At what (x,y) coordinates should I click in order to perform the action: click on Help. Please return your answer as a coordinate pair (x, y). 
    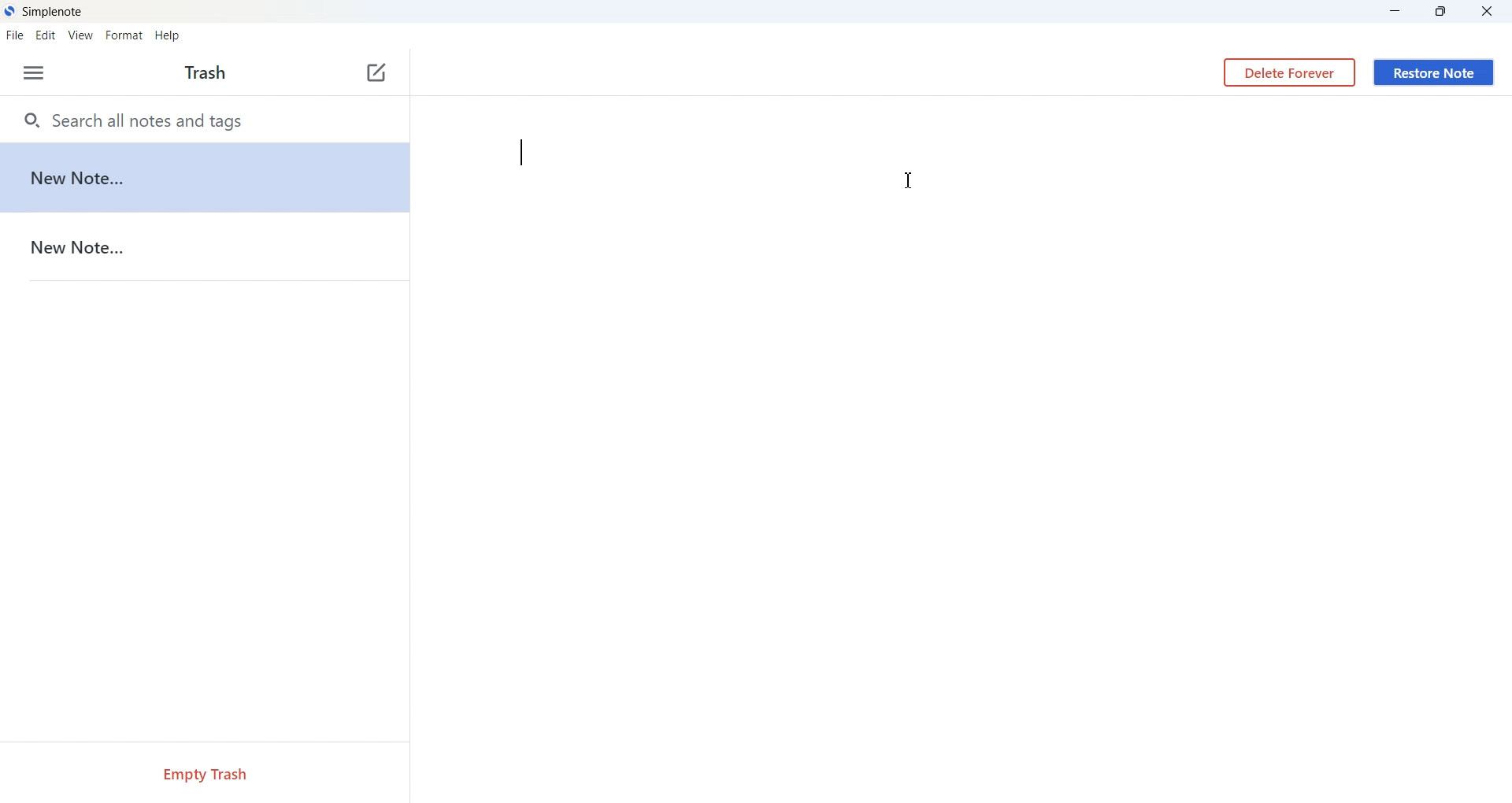
    Looking at the image, I should click on (167, 34).